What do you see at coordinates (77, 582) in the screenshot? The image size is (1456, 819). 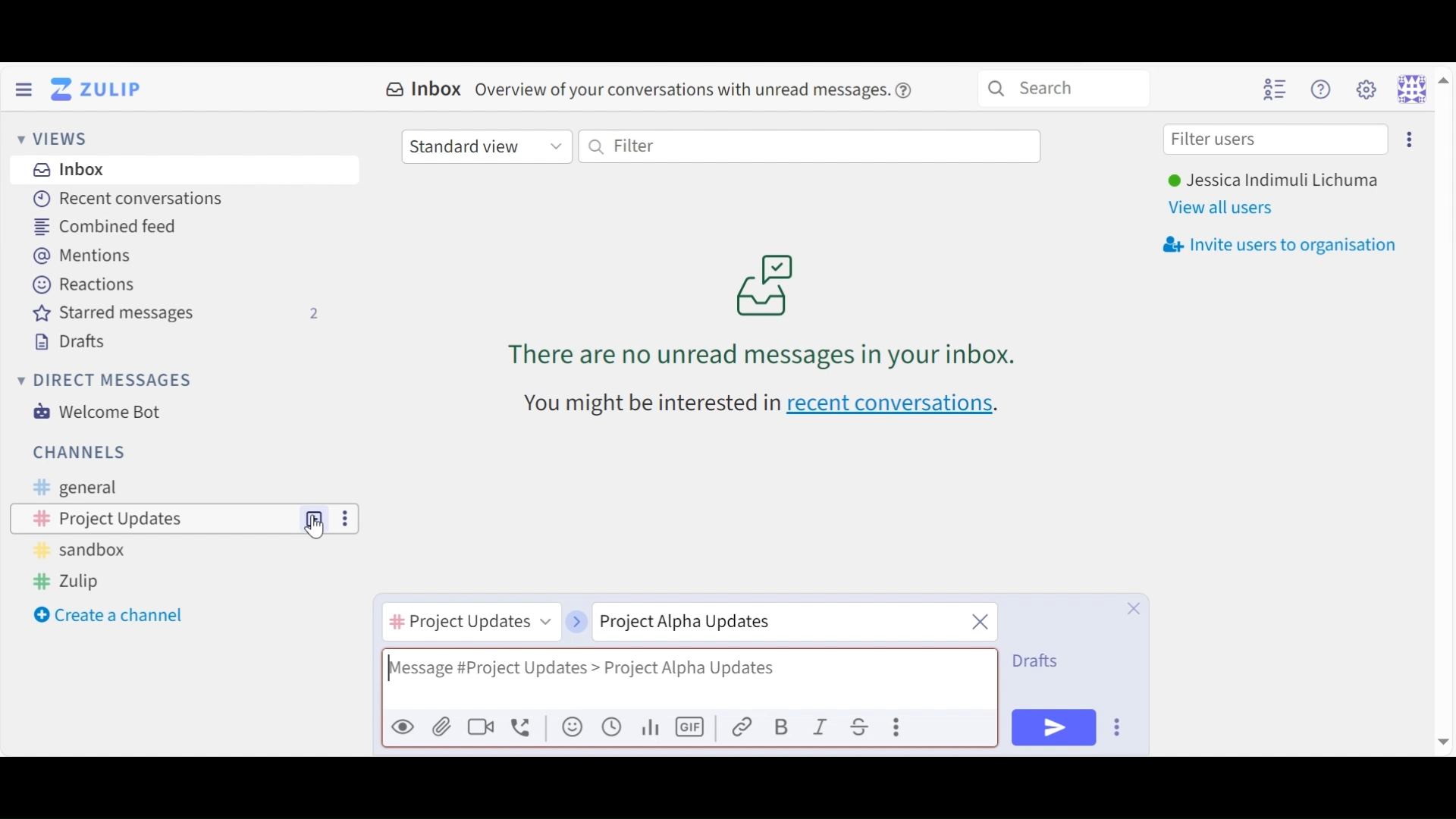 I see `Zulip Channel` at bounding box center [77, 582].